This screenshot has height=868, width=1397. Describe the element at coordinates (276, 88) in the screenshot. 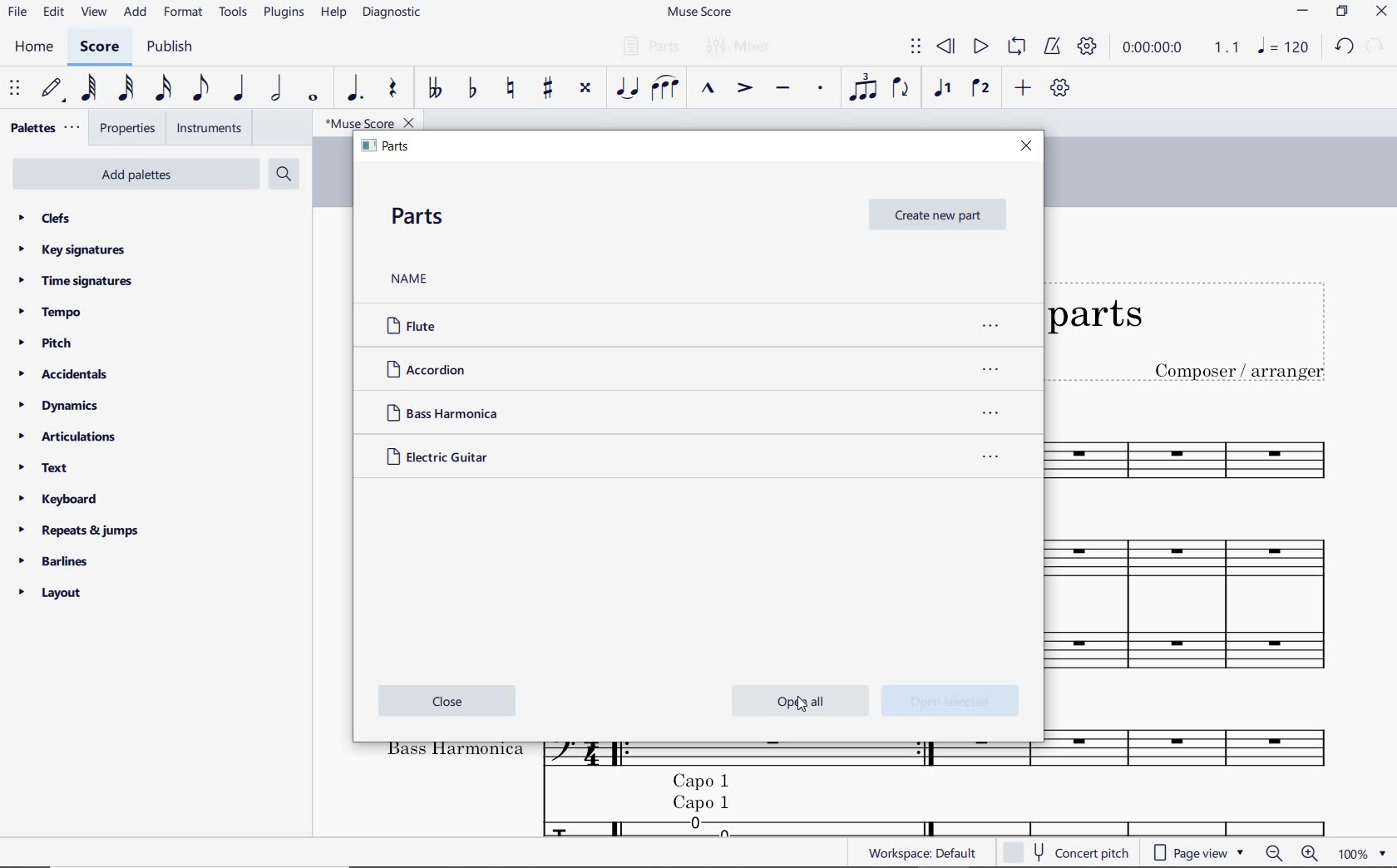

I see `half note` at that location.